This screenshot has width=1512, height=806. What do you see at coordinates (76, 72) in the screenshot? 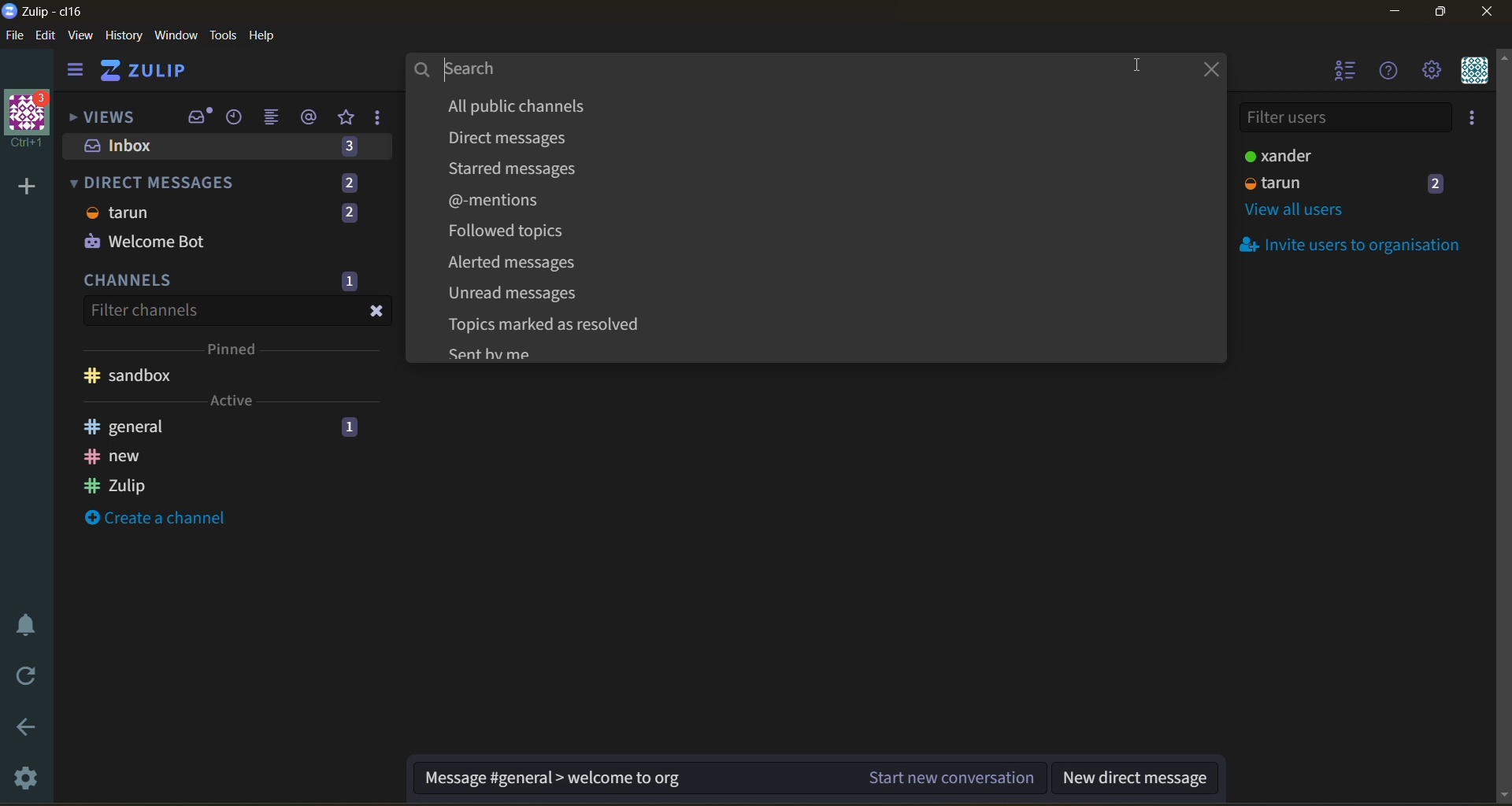
I see `hide sidebar` at bounding box center [76, 72].